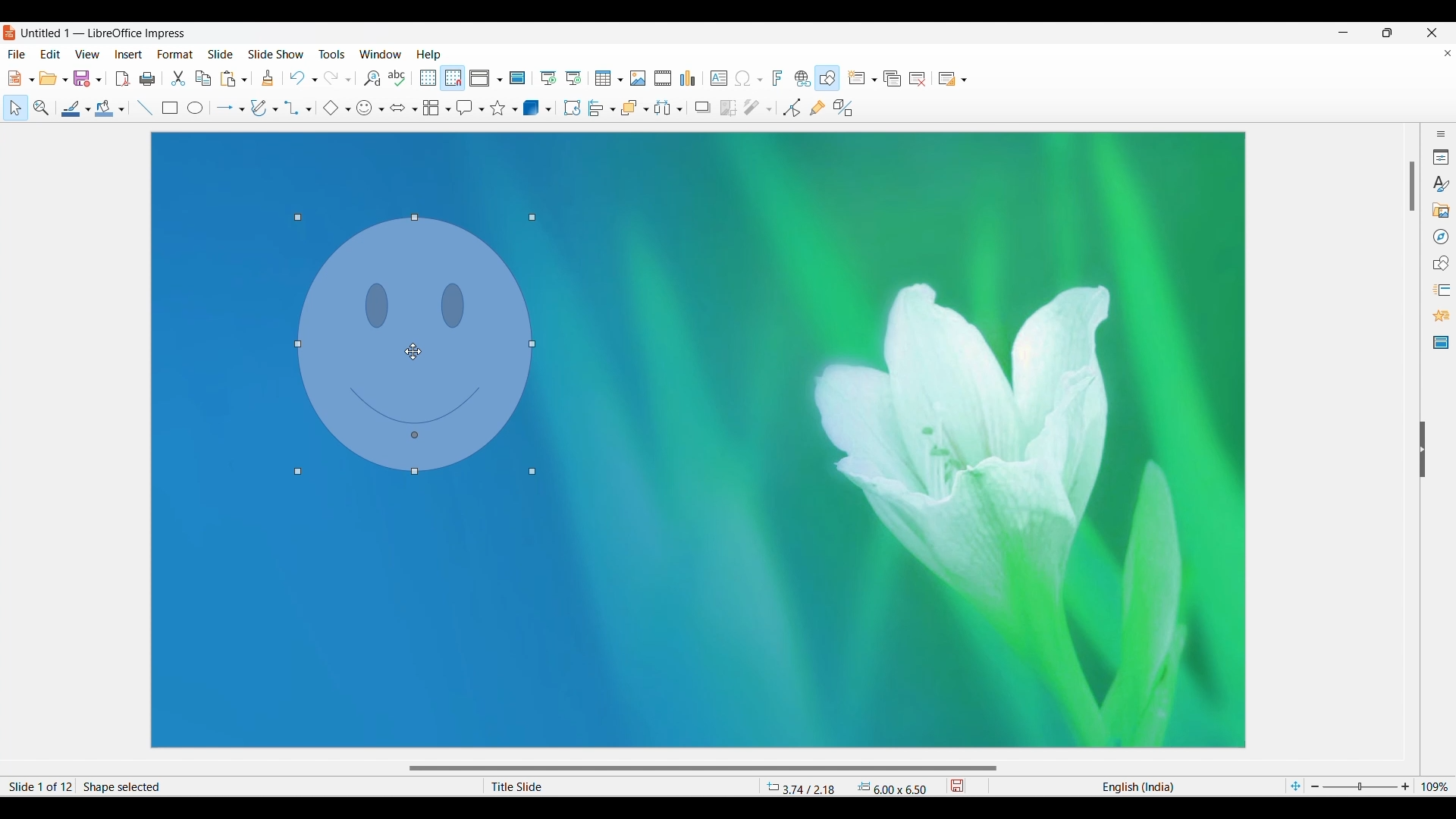 The height and width of the screenshot is (819, 1456). Describe the element at coordinates (83, 78) in the screenshot. I see `Save` at that location.